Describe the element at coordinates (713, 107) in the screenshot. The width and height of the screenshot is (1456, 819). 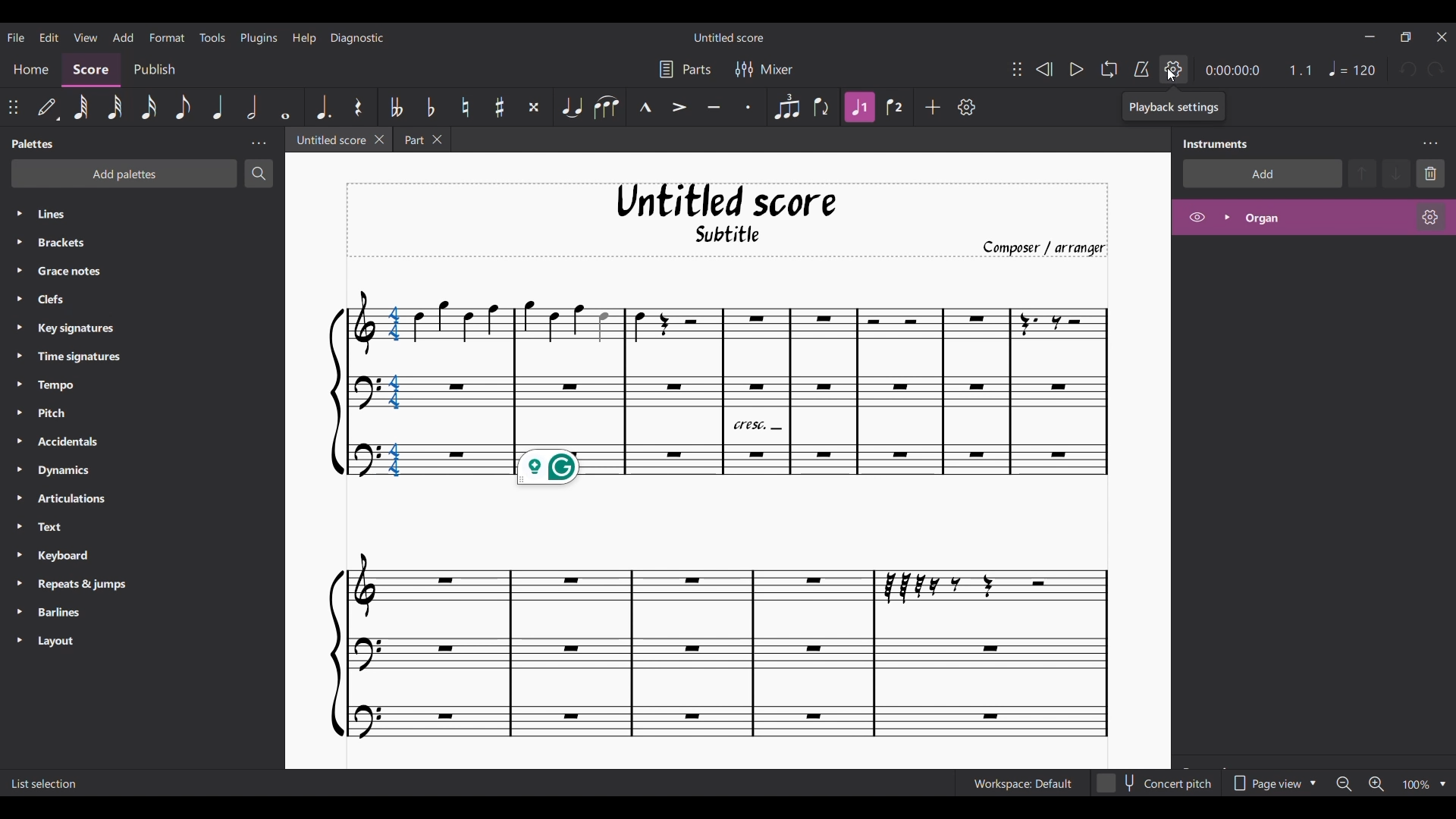
I see `Tenuto` at that location.